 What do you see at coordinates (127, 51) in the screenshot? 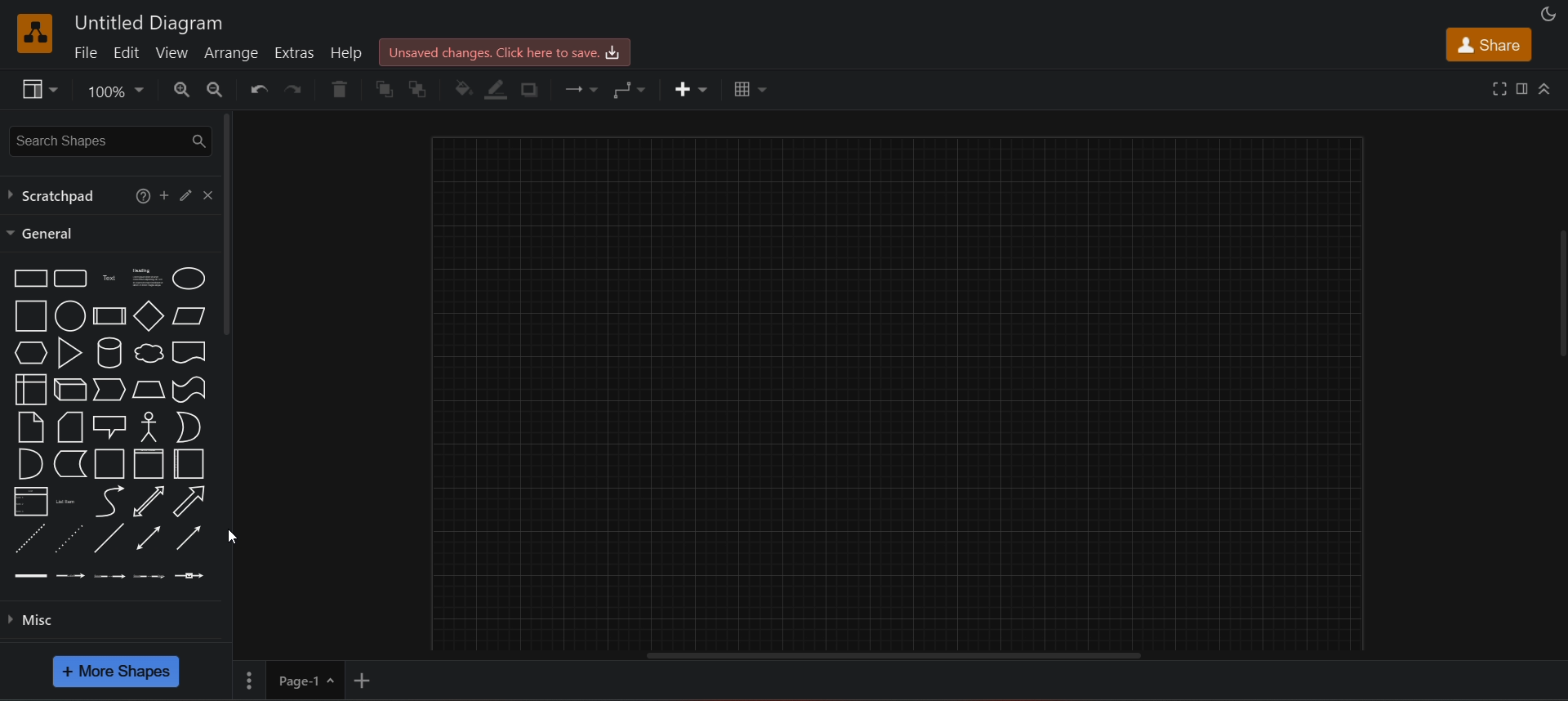
I see `edit` at bounding box center [127, 51].